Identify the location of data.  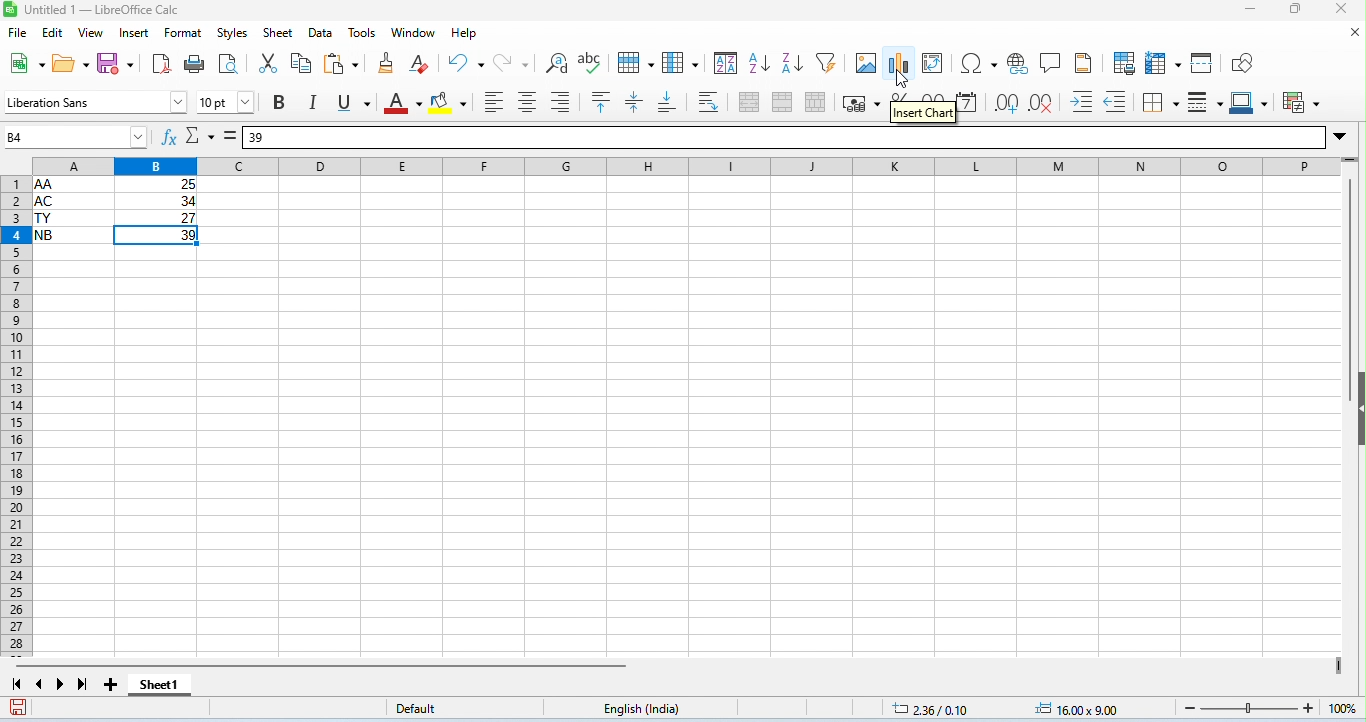
(322, 34).